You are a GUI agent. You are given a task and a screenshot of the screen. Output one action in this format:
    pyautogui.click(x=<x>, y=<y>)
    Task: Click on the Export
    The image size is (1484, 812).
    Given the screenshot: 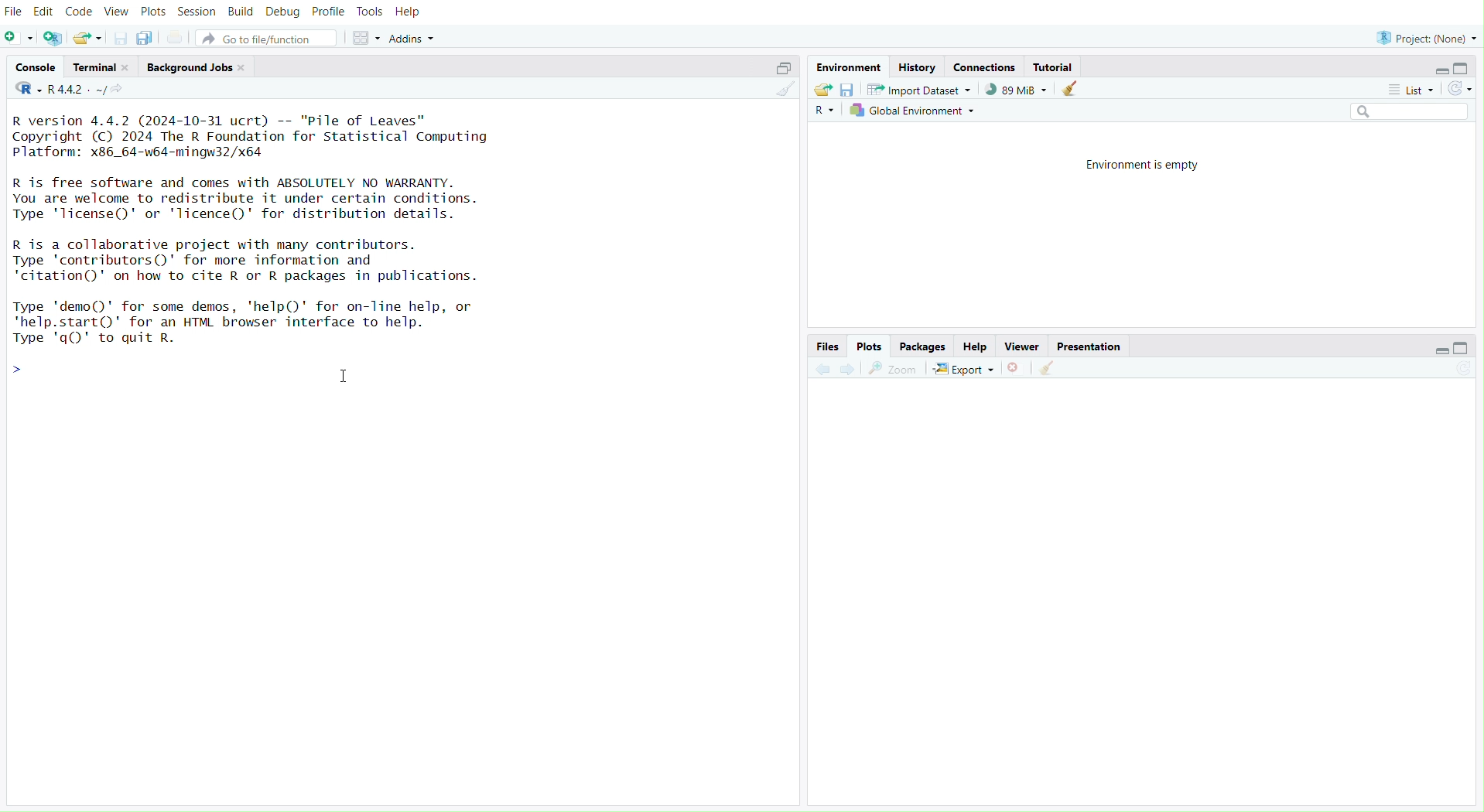 What is the action you would take?
    pyautogui.click(x=969, y=368)
    